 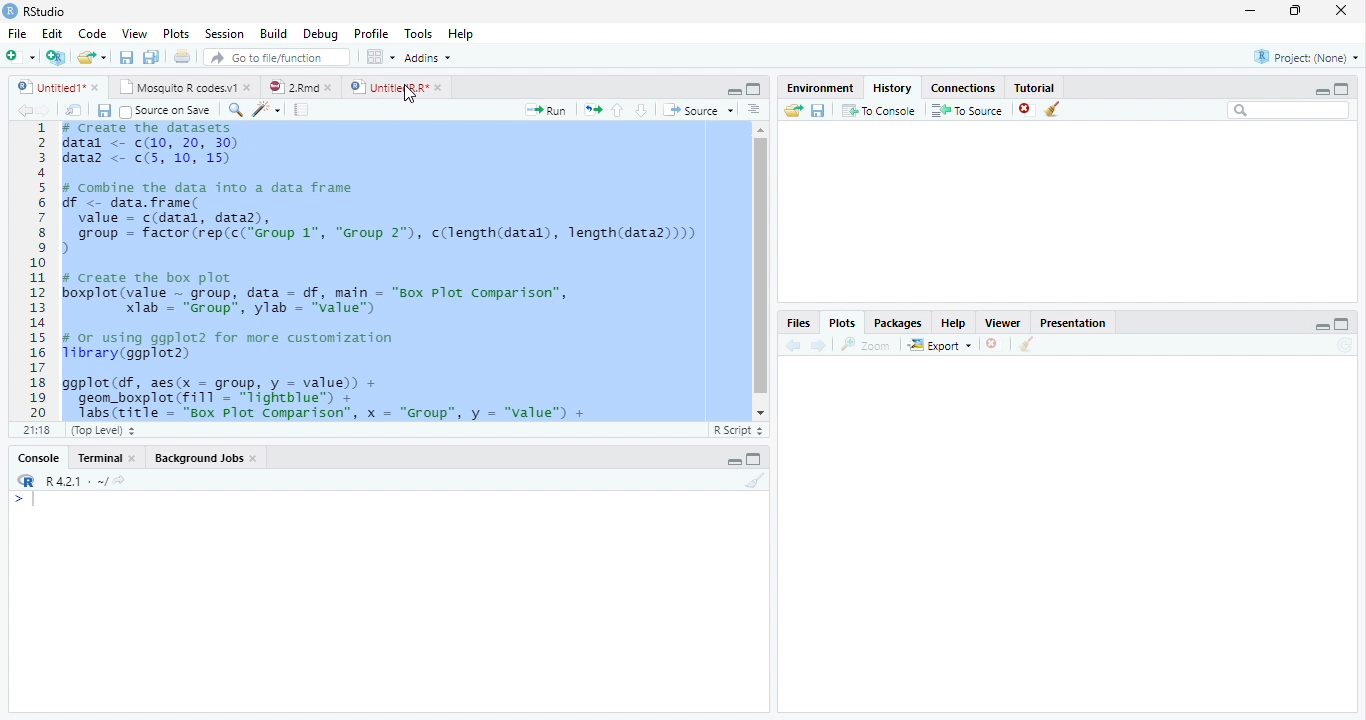 What do you see at coordinates (1342, 324) in the screenshot?
I see `Maximize` at bounding box center [1342, 324].